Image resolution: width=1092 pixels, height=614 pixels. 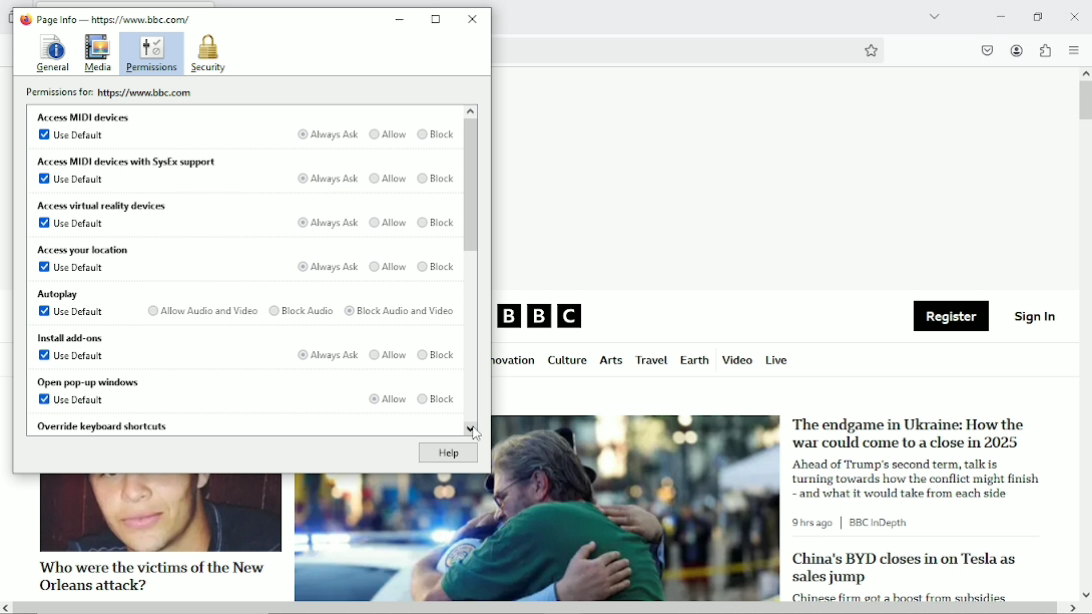 What do you see at coordinates (152, 54) in the screenshot?
I see `Permissions` at bounding box center [152, 54].